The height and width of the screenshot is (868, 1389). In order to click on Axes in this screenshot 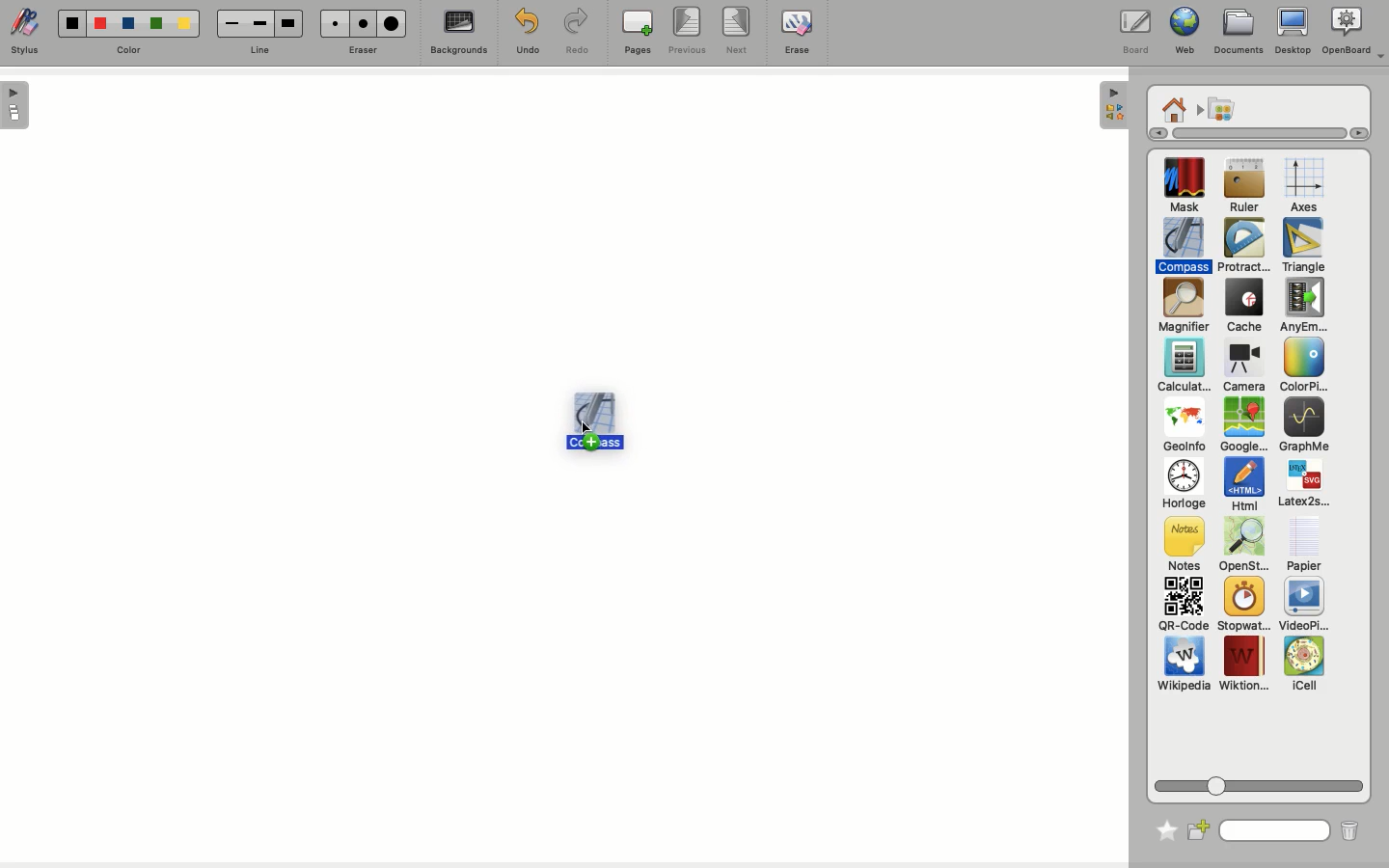, I will do `click(1304, 186)`.